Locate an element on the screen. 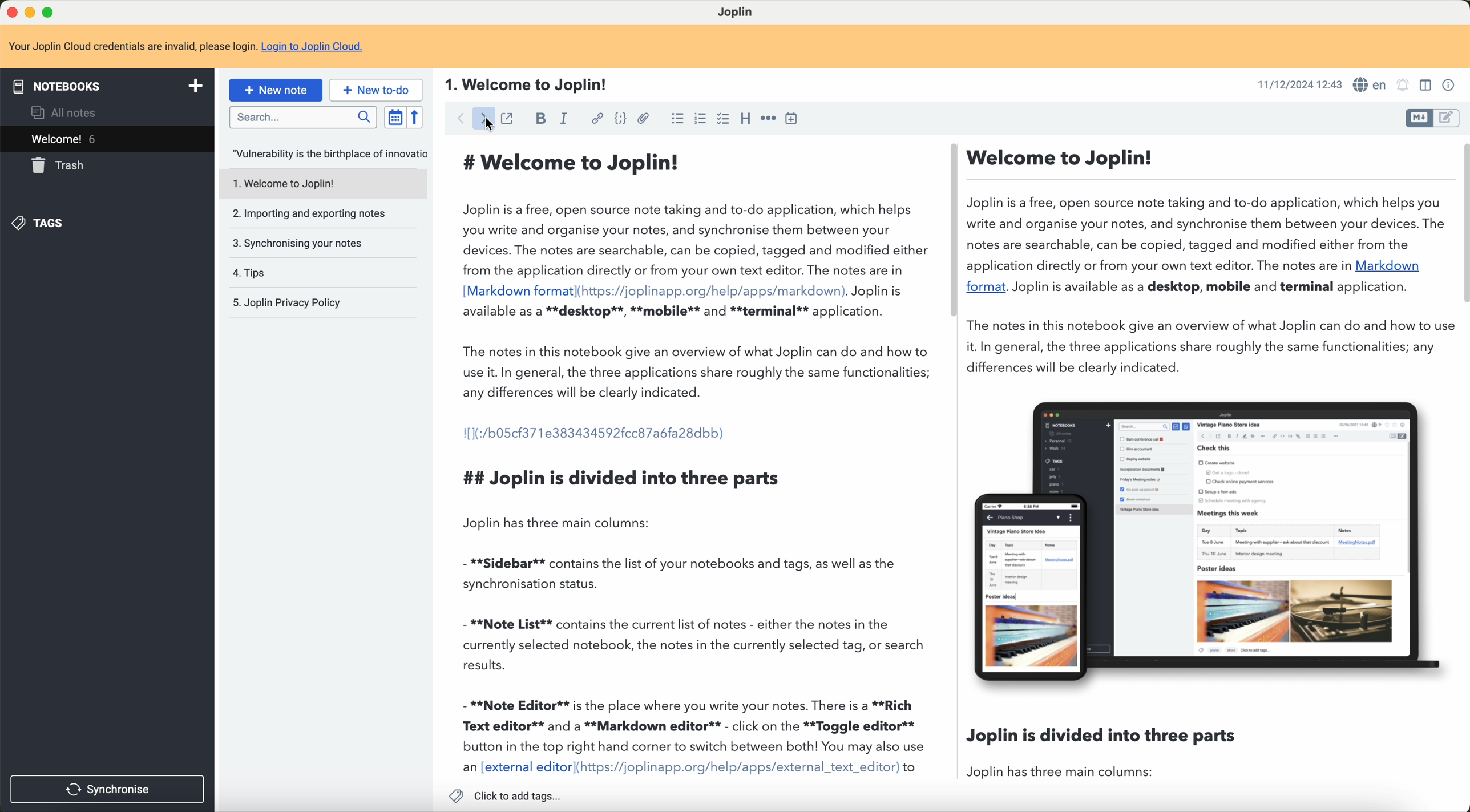  bold is located at coordinates (538, 119).